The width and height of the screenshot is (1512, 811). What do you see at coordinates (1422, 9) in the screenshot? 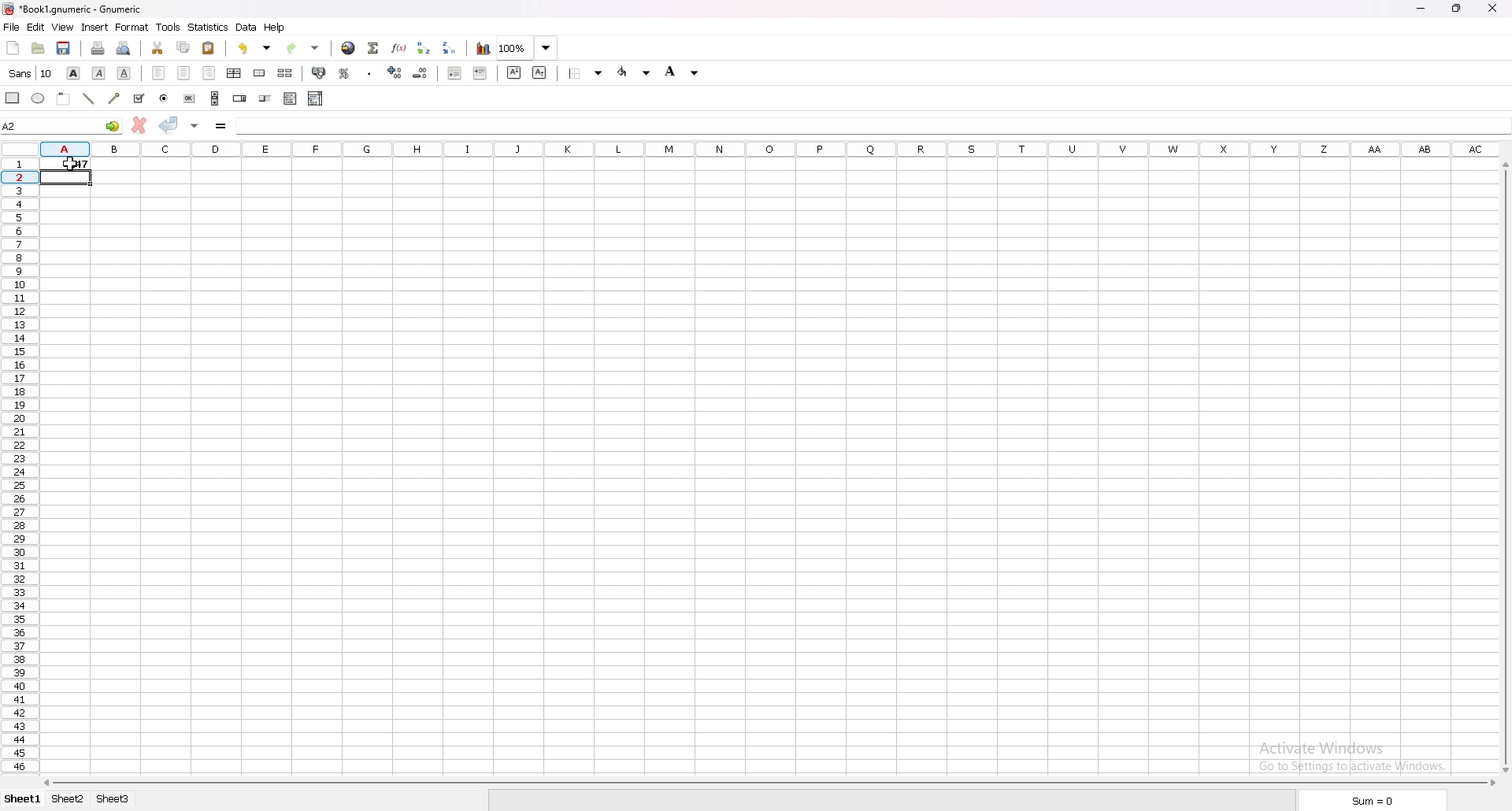
I see `minimize` at bounding box center [1422, 9].